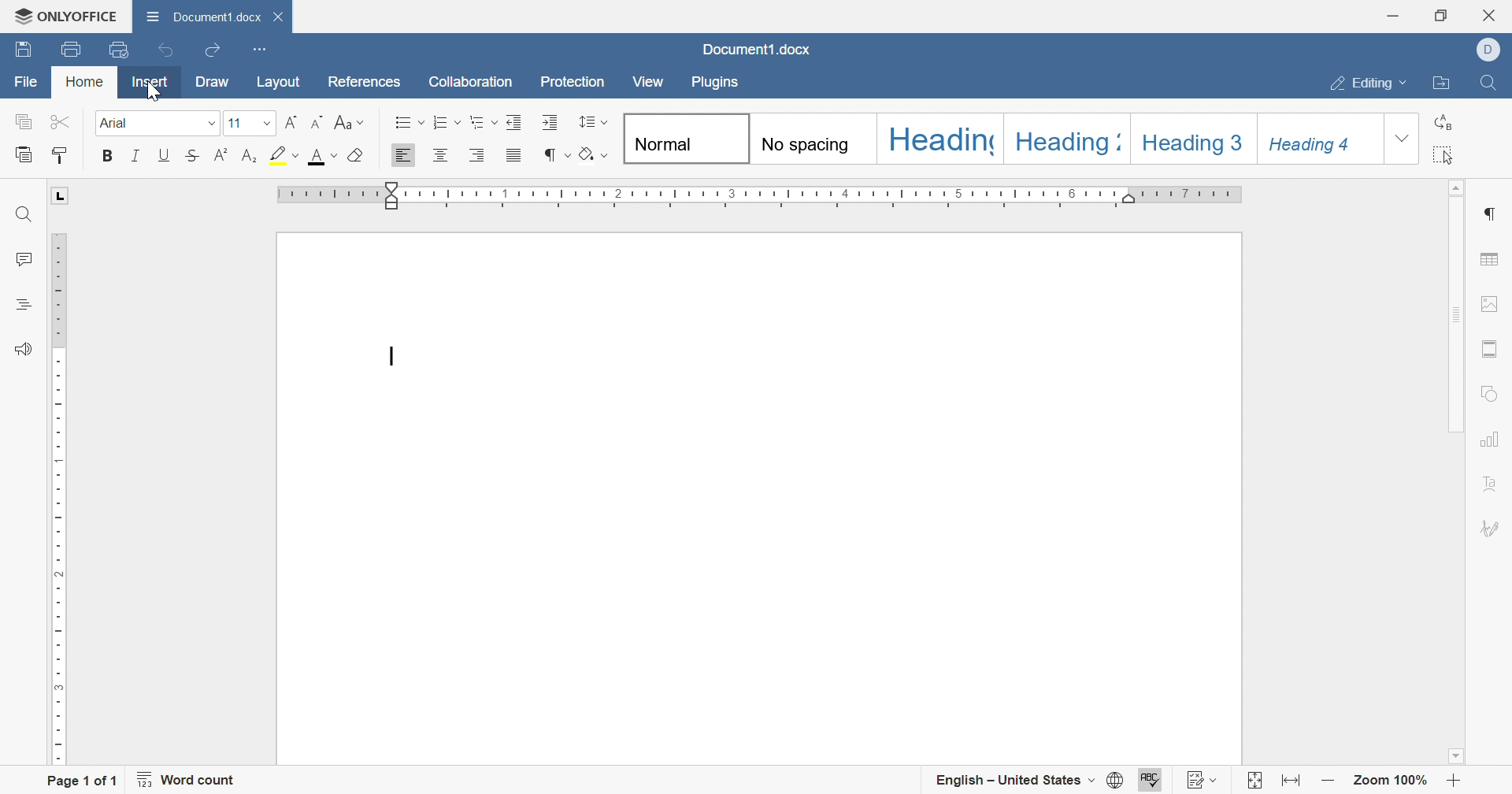 Image resolution: width=1512 pixels, height=794 pixels. What do you see at coordinates (717, 84) in the screenshot?
I see `Plugins` at bounding box center [717, 84].